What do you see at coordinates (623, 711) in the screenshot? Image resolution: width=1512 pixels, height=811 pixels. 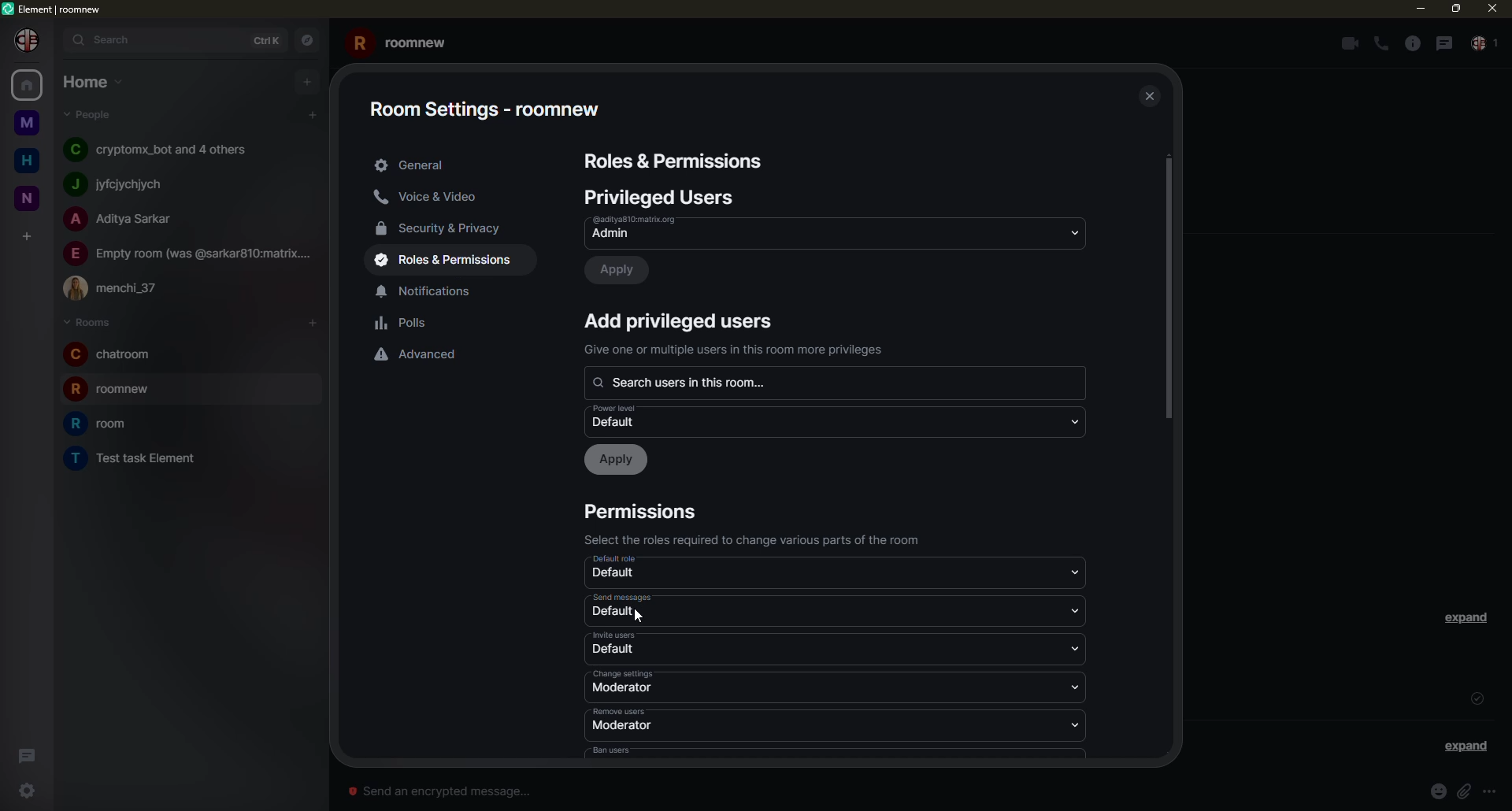 I see `remove` at bounding box center [623, 711].